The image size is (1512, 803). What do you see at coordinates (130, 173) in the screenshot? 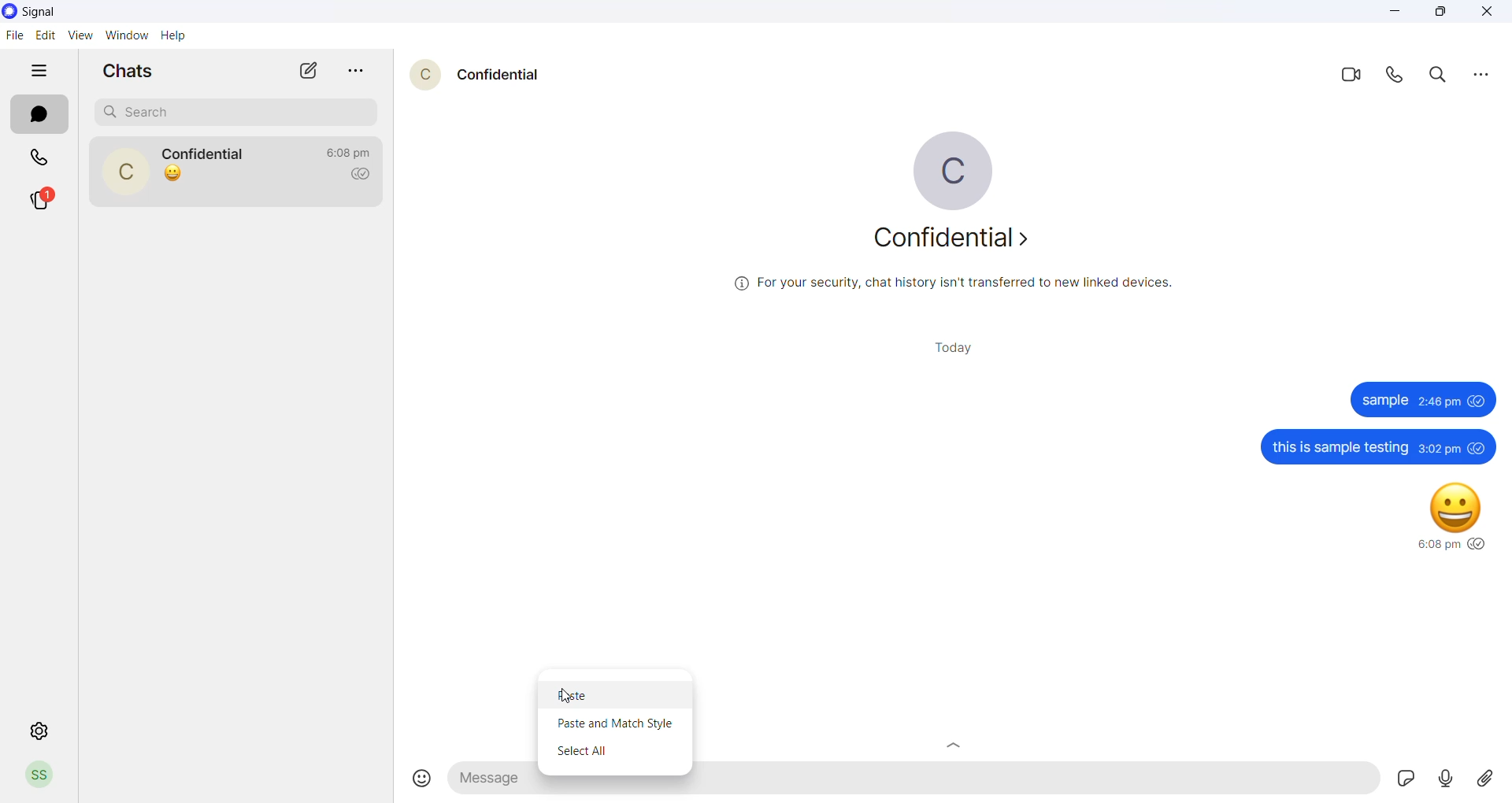
I see `contact profile picture` at bounding box center [130, 173].